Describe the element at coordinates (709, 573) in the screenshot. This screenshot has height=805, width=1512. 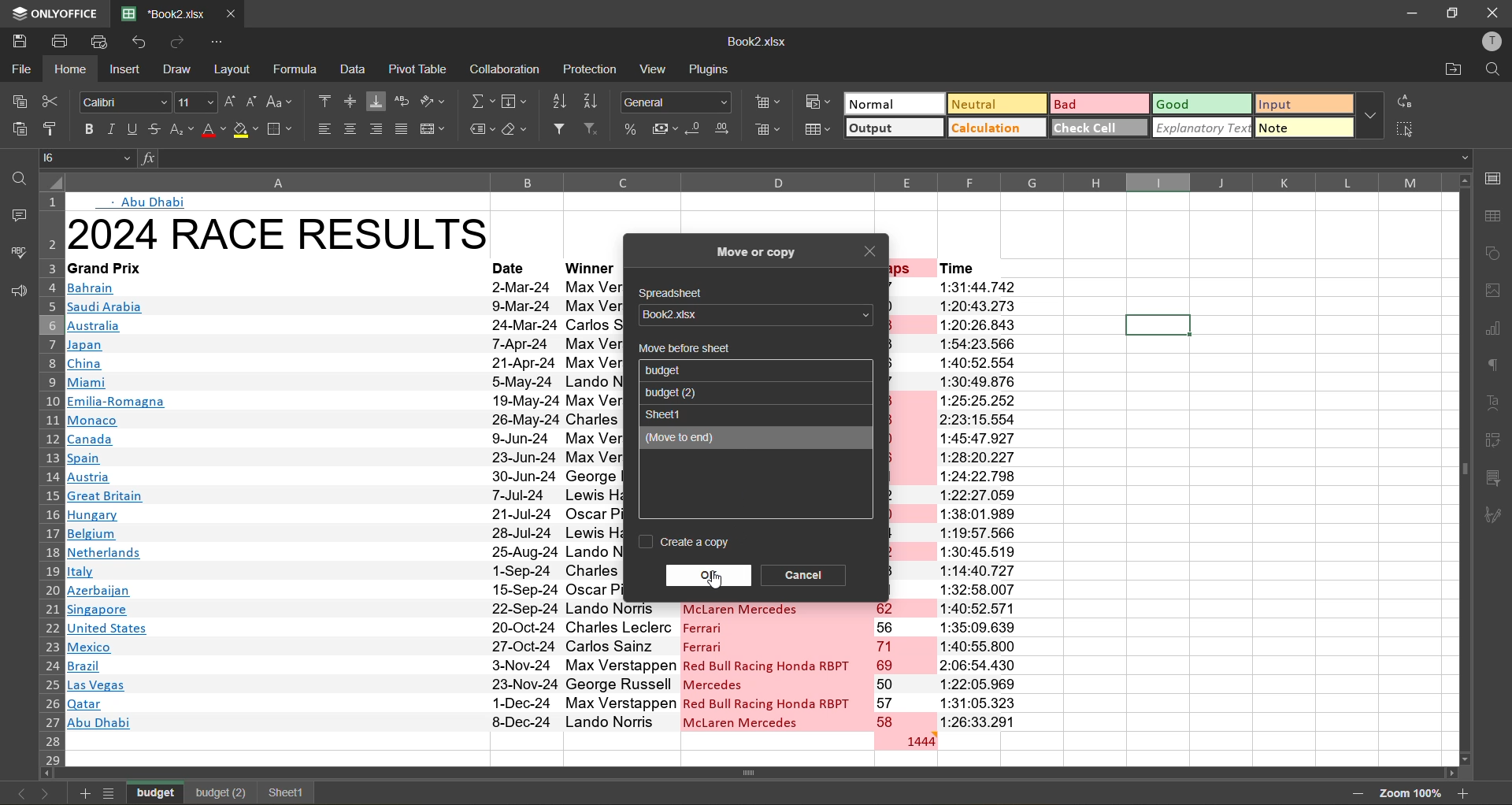
I see `ok` at that location.